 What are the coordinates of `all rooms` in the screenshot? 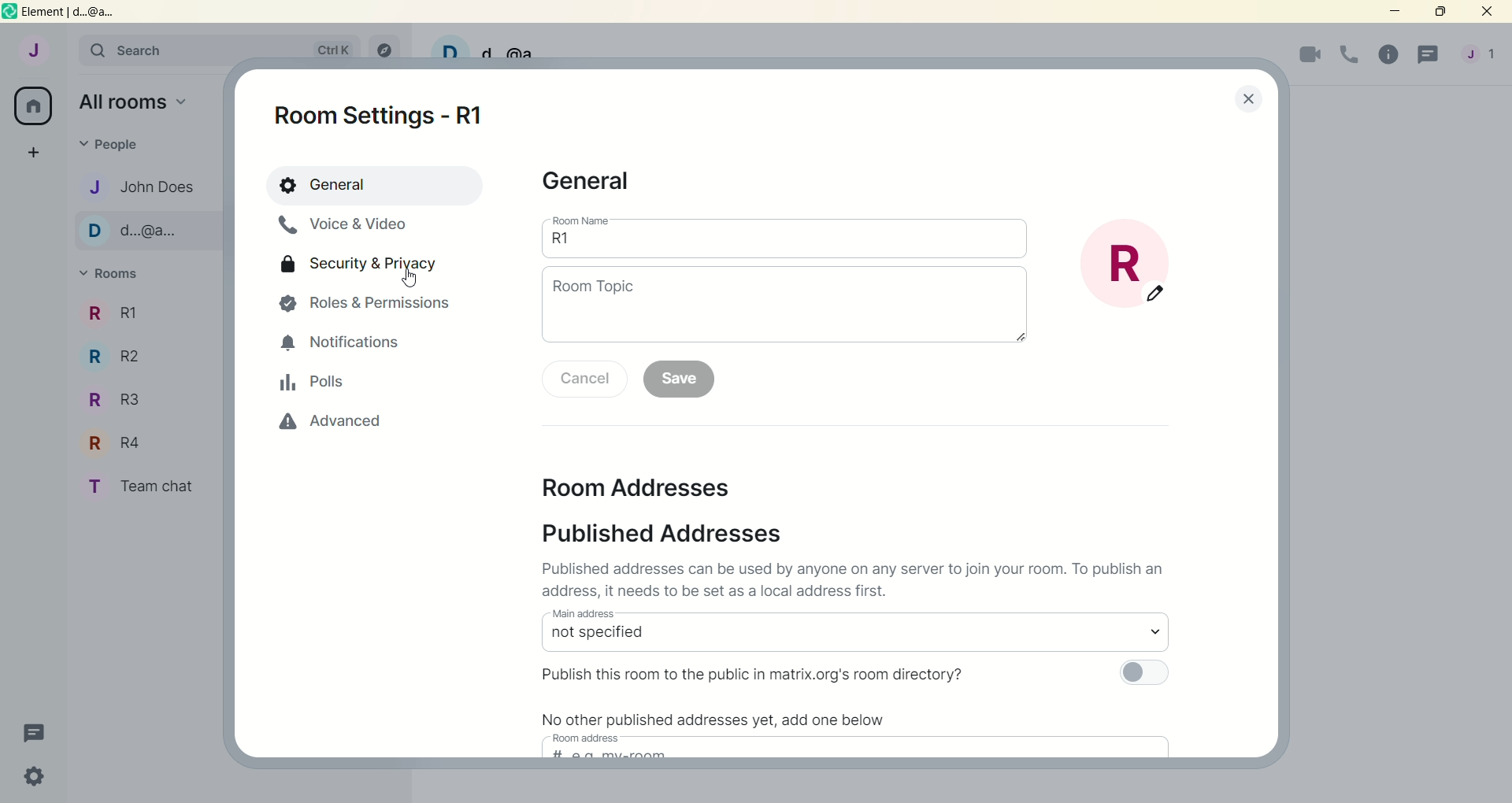 It's located at (134, 101).